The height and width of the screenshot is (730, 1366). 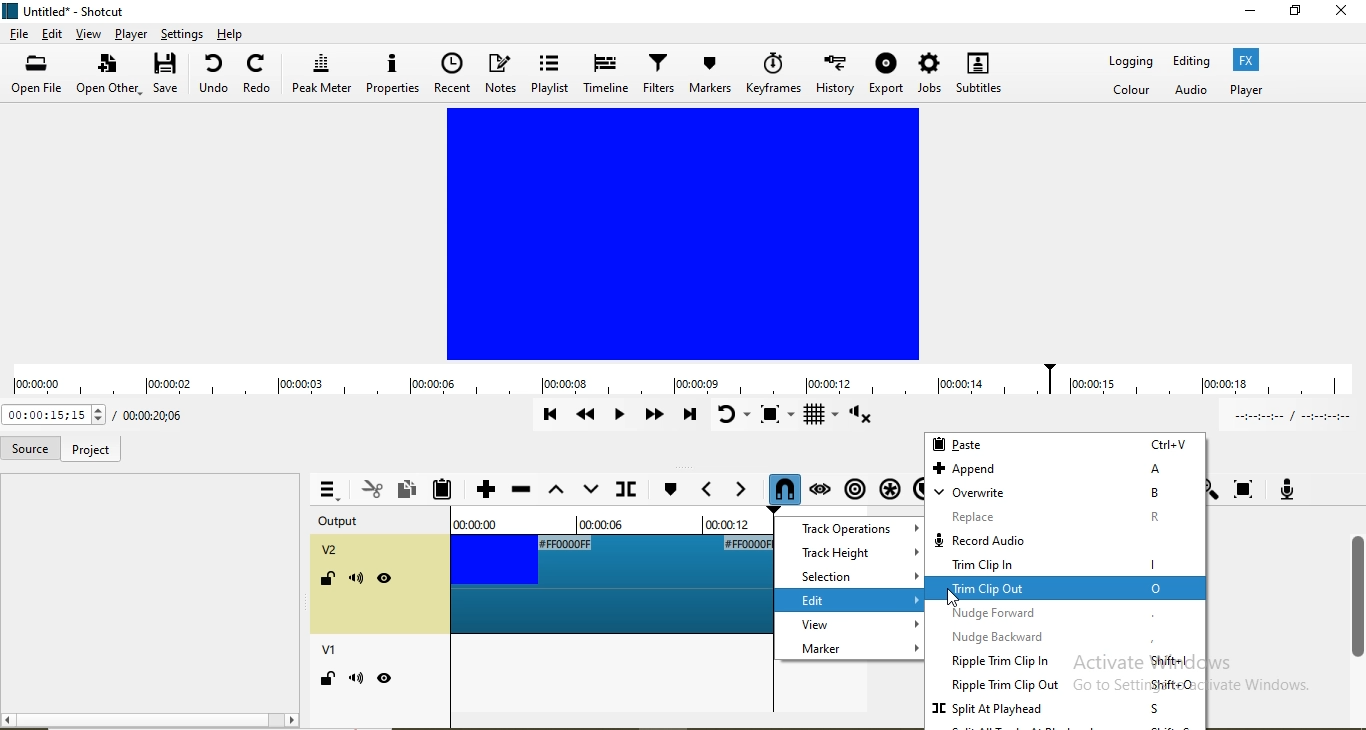 What do you see at coordinates (836, 71) in the screenshot?
I see `history` at bounding box center [836, 71].